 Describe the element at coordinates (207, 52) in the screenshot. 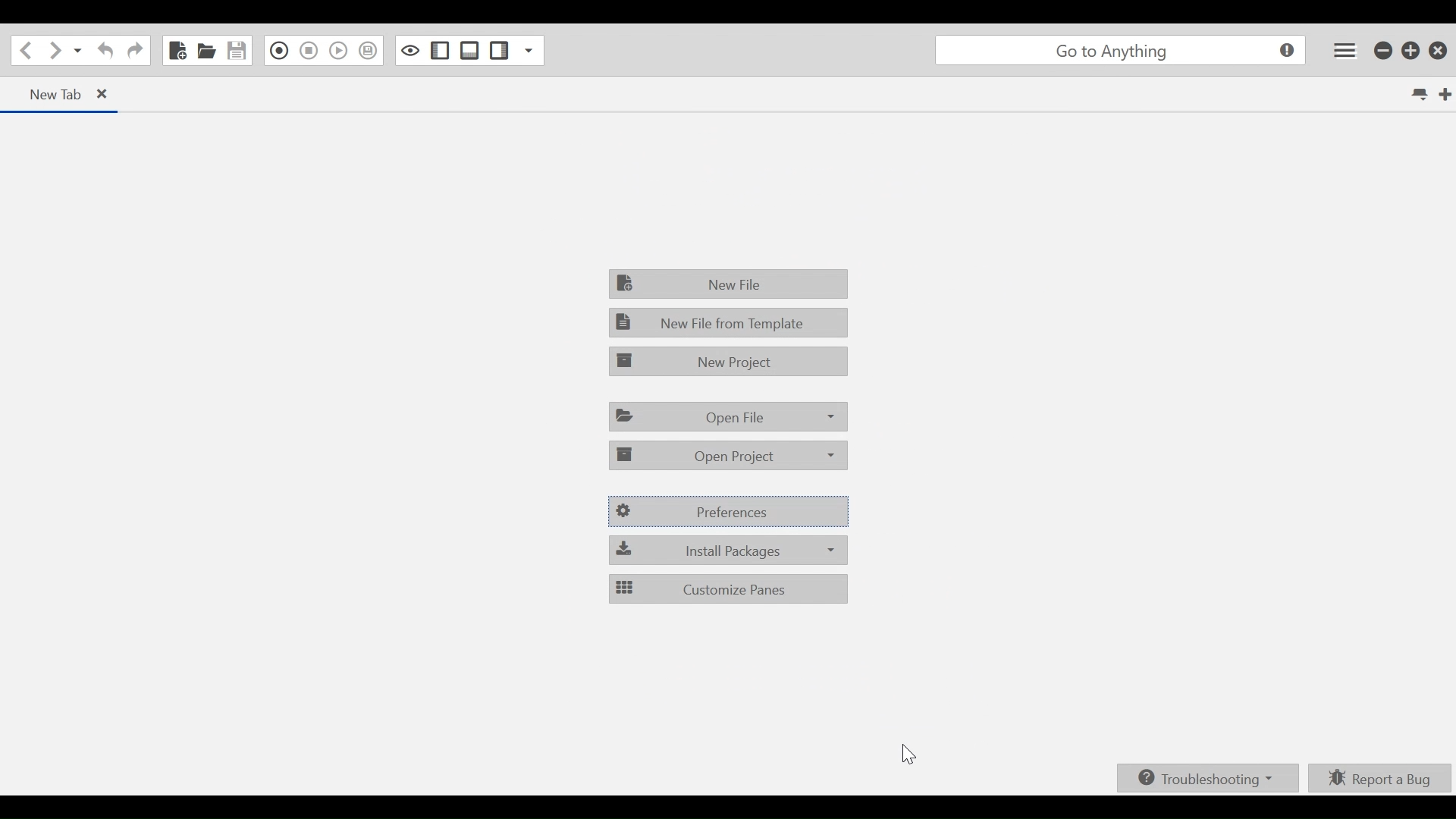

I see `Open File` at that location.